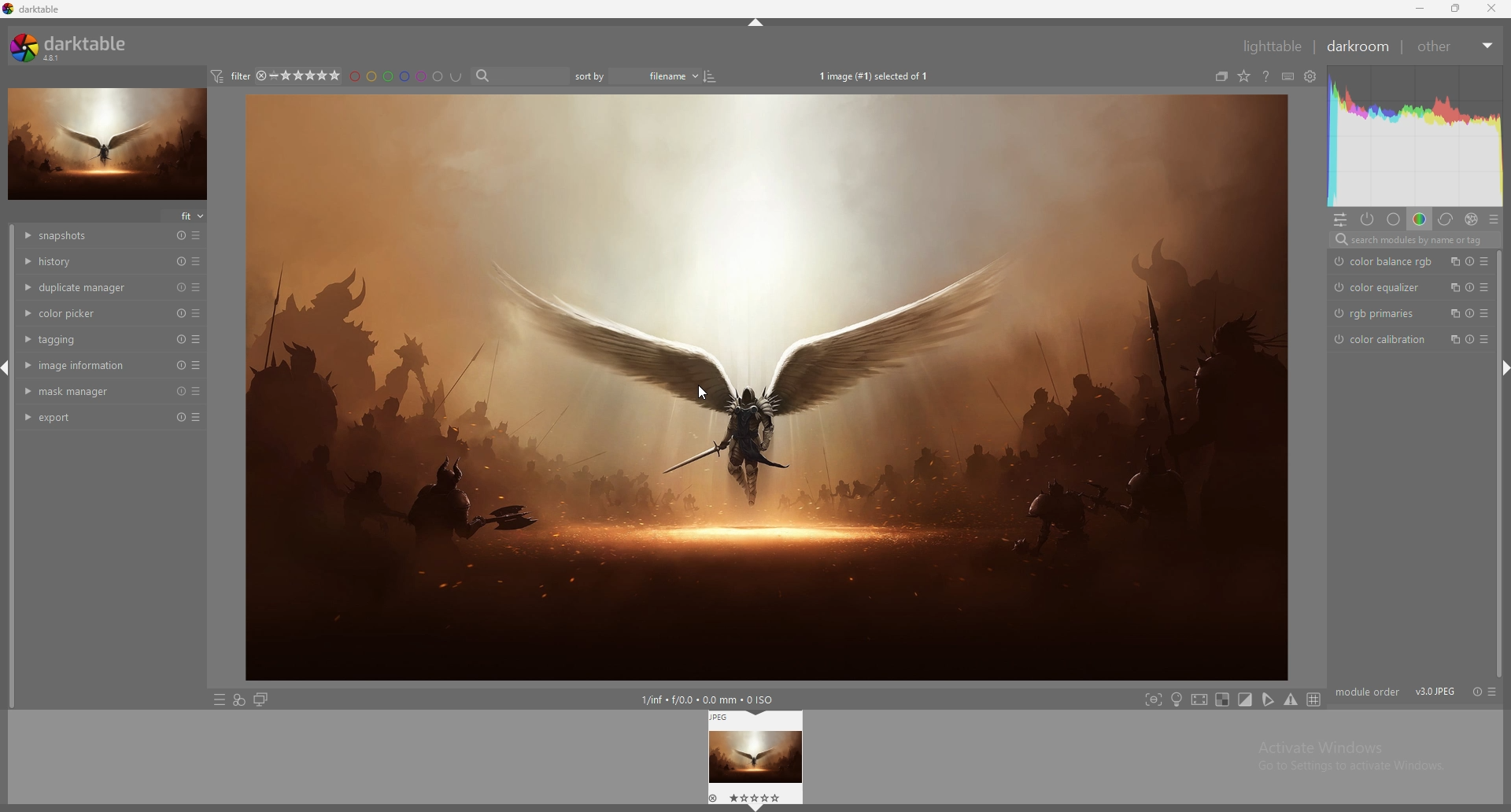  Describe the element at coordinates (1200, 700) in the screenshot. I see `toggle high quality processing` at that location.